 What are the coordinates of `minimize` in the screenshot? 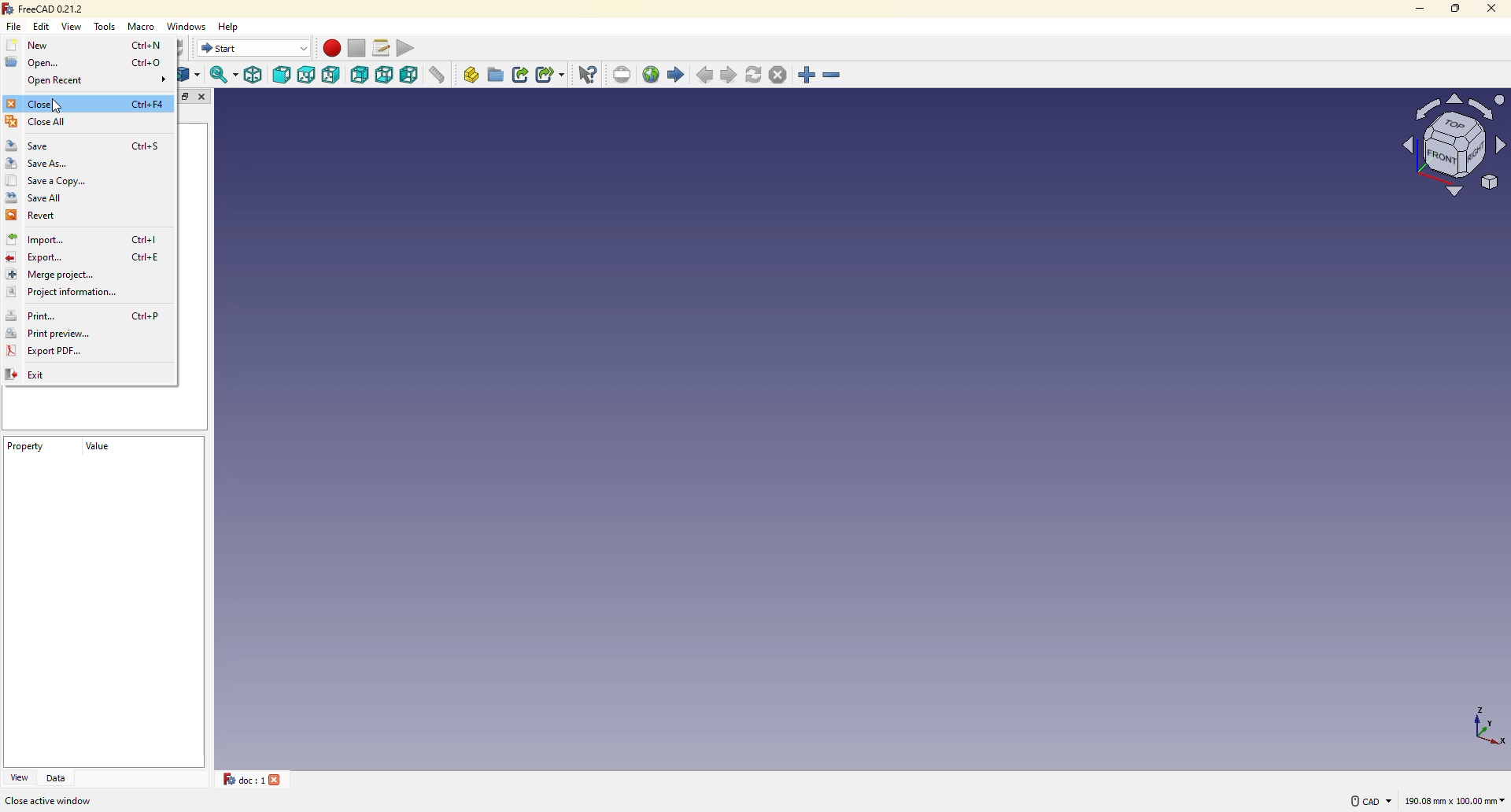 It's located at (1418, 8).